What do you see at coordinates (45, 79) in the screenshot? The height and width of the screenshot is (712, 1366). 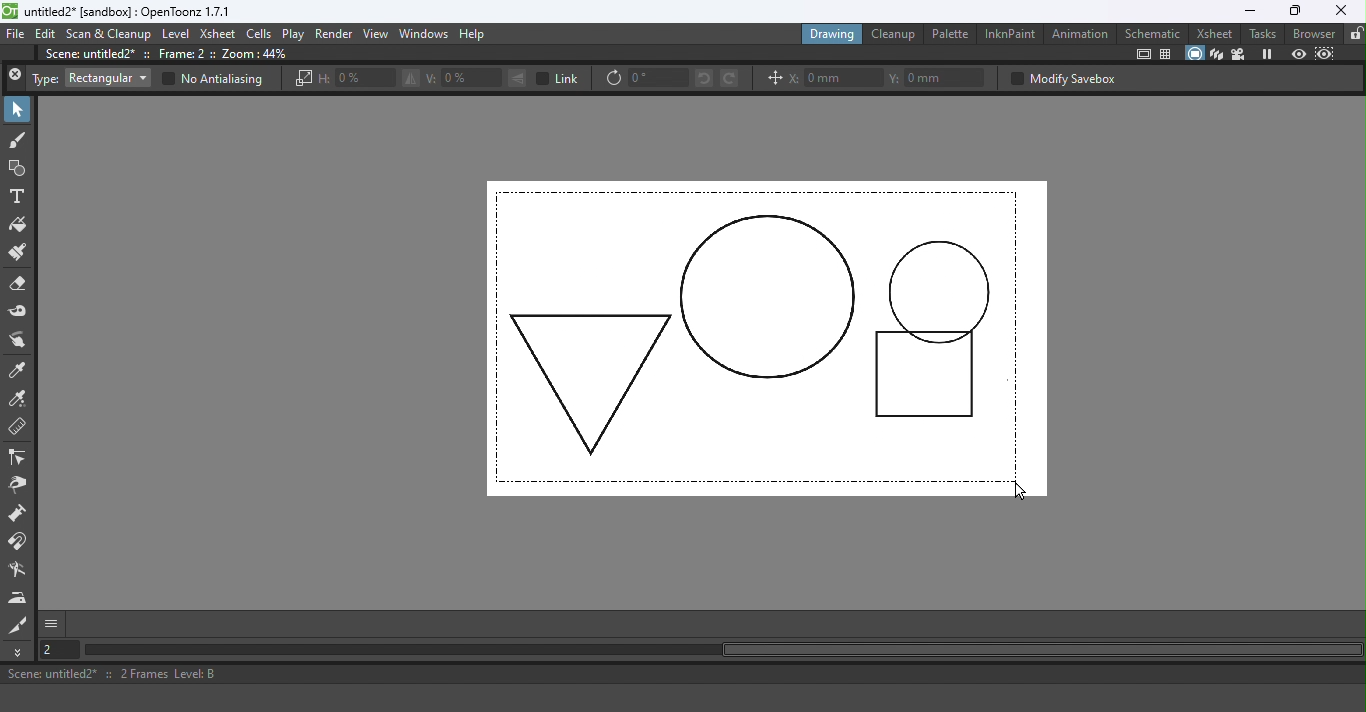 I see `Type` at bounding box center [45, 79].